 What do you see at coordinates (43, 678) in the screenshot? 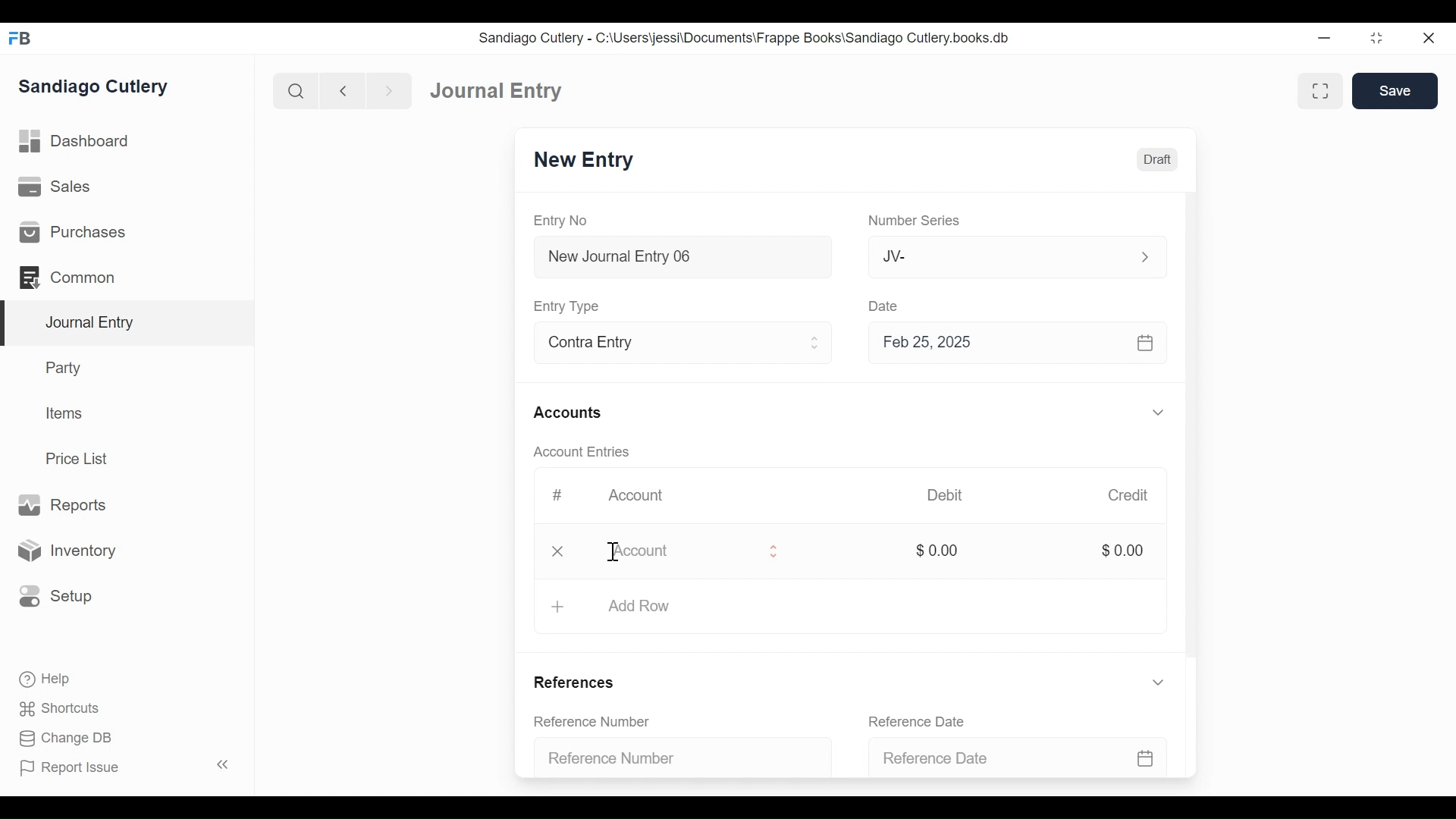
I see `Help` at bounding box center [43, 678].